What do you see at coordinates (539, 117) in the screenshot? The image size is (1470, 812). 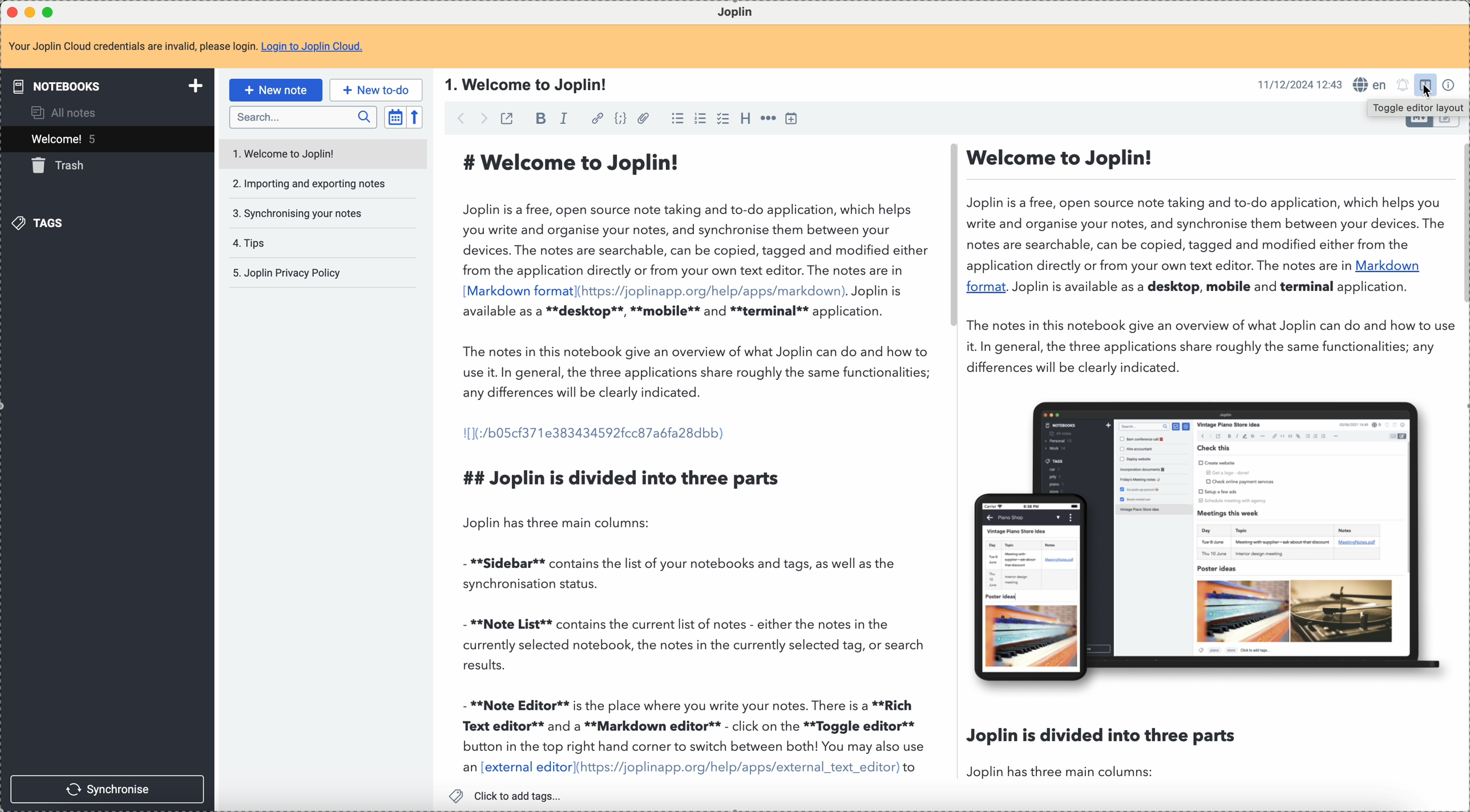 I see `bold` at bounding box center [539, 117].